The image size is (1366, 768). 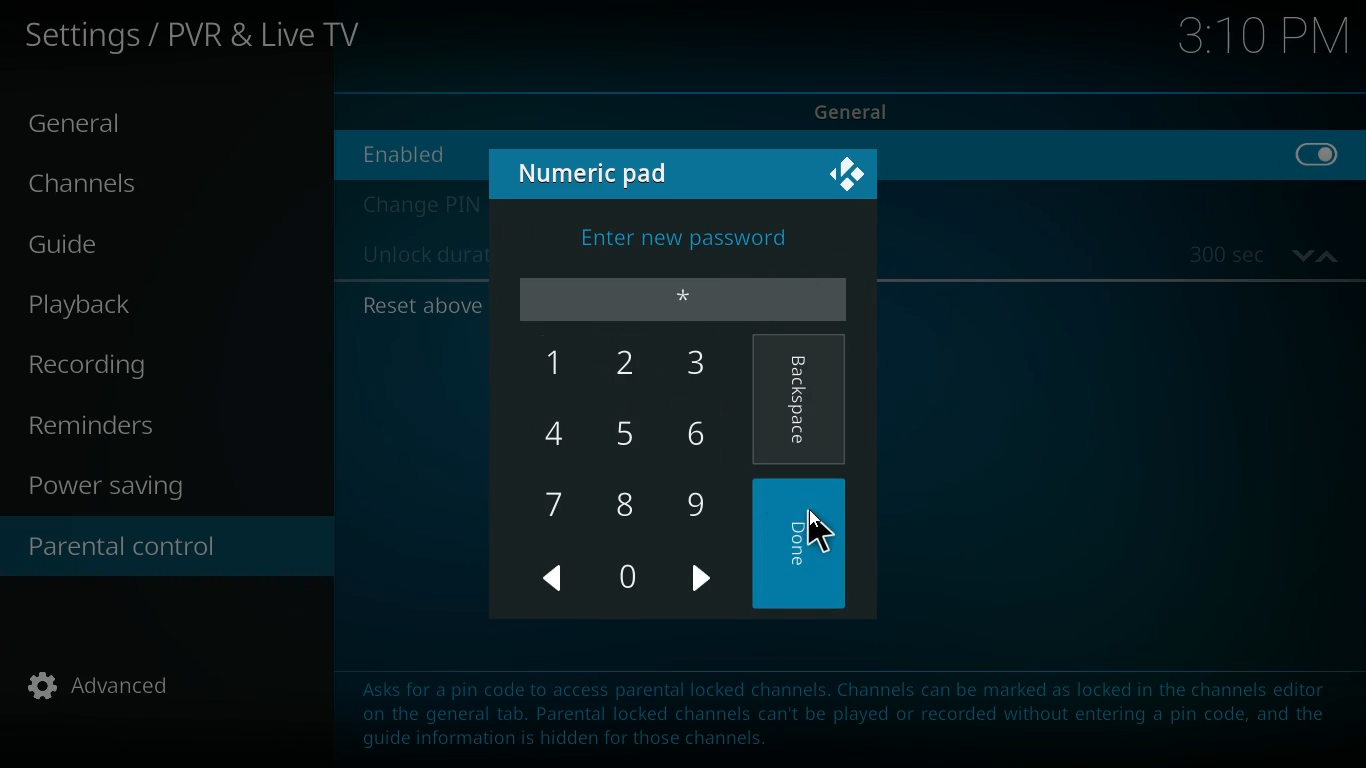 What do you see at coordinates (627, 578) in the screenshot?
I see `0` at bounding box center [627, 578].